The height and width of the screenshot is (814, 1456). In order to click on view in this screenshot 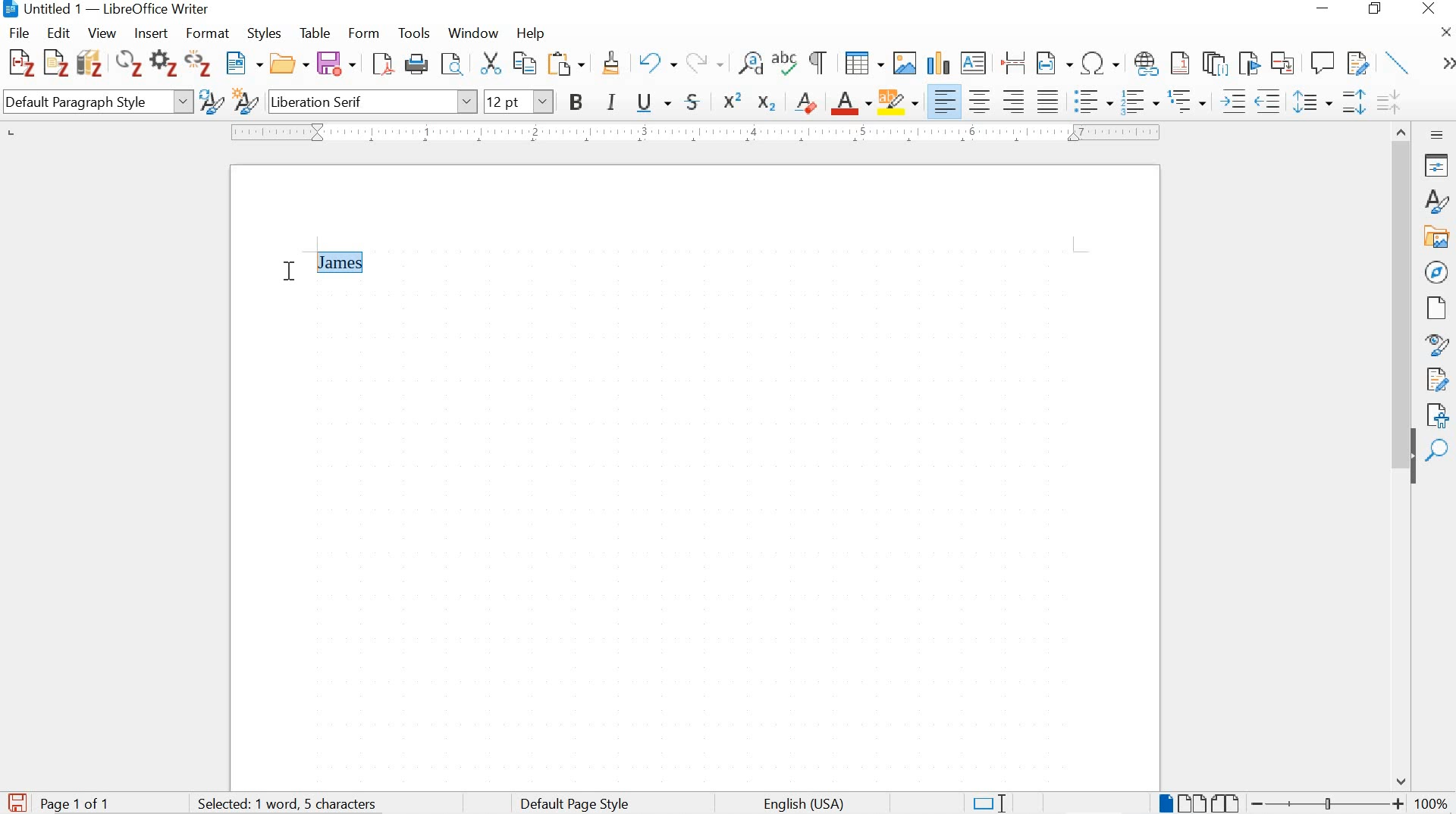, I will do `click(101, 33)`.